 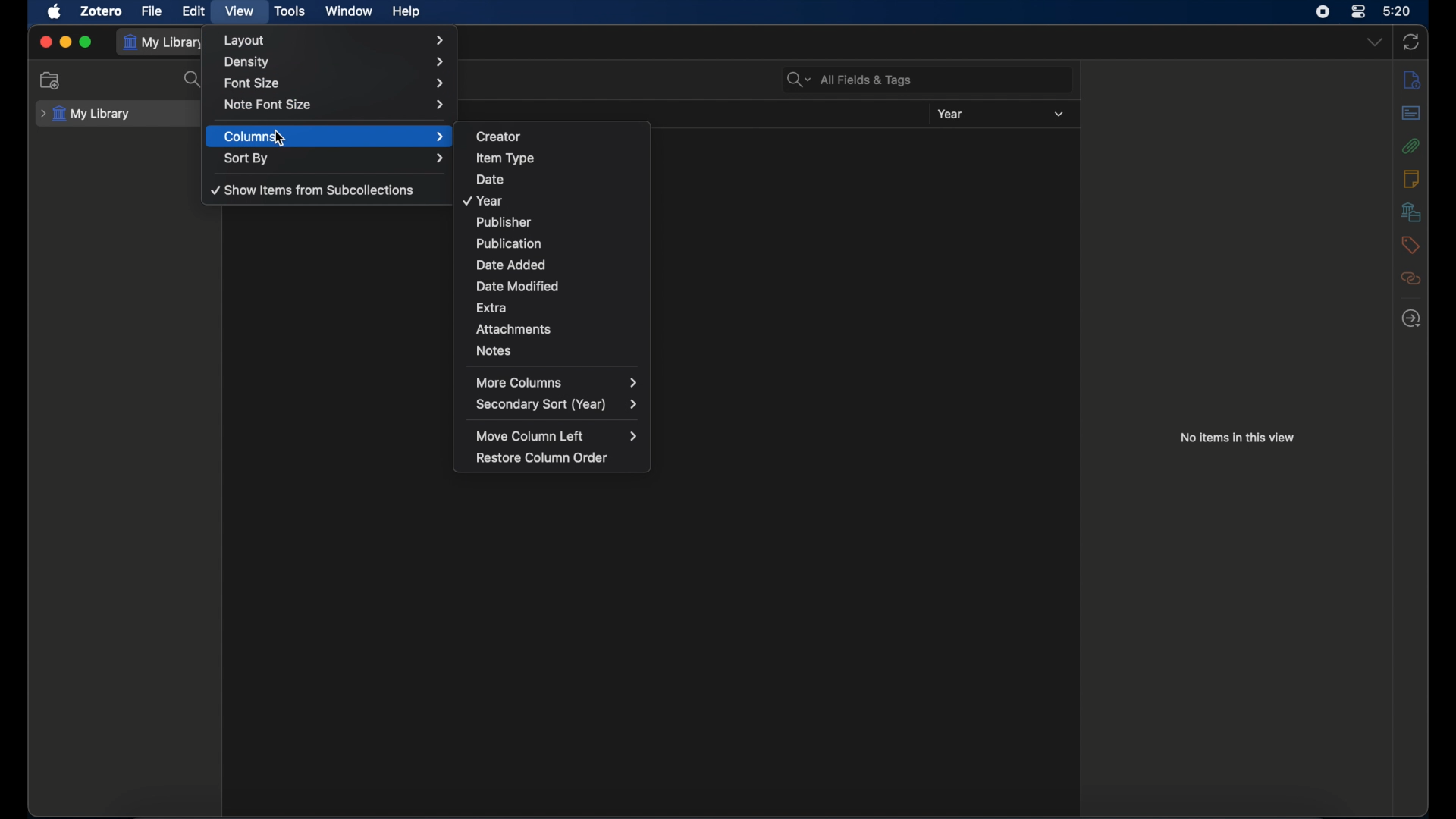 What do you see at coordinates (560, 350) in the screenshot?
I see `notes` at bounding box center [560, 350].